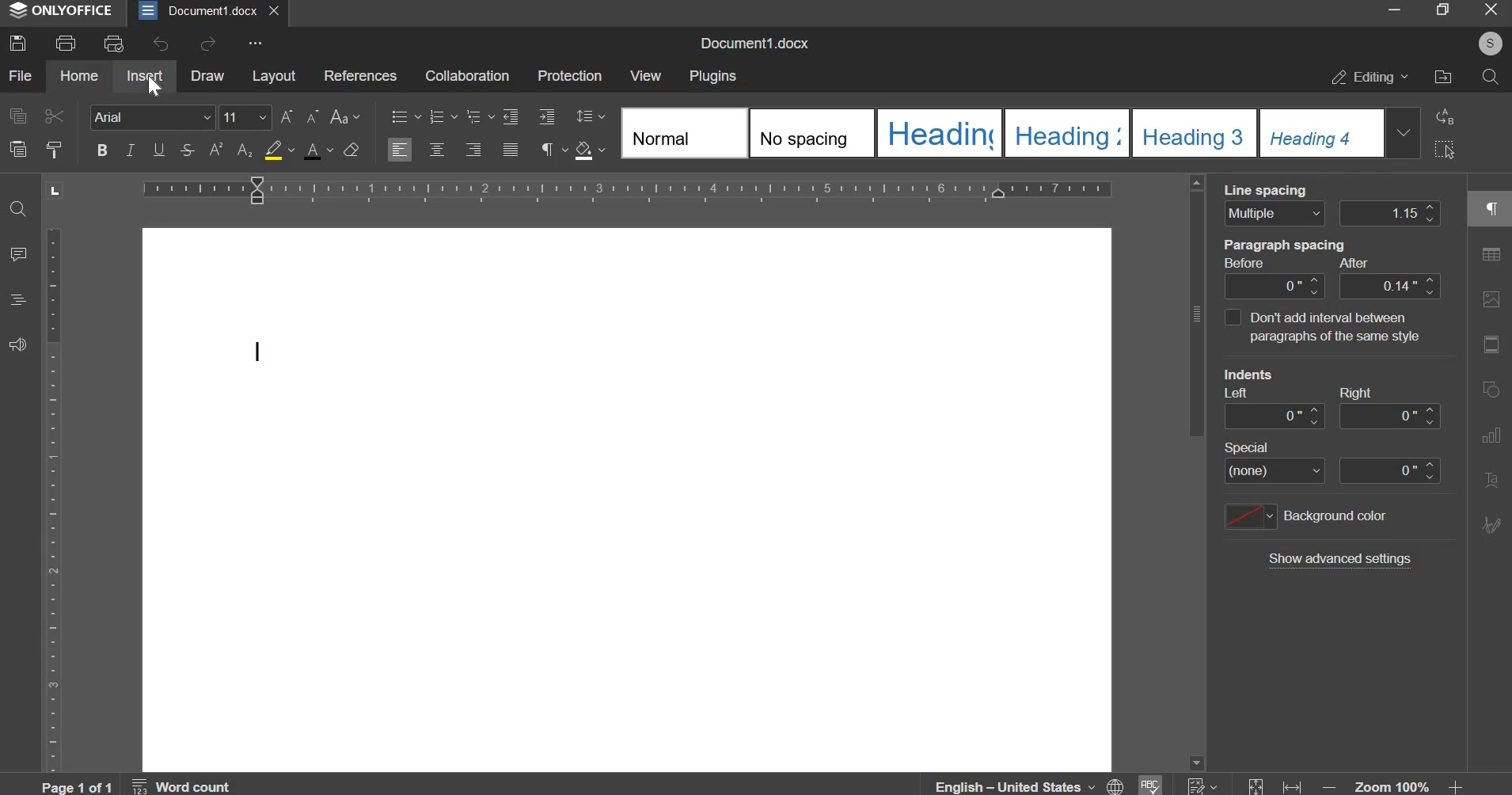 This screenshot has width=1512, height=795. What do you see at coordinates (345, 114) in the screenshot?
I see `change case` at bounding box center [345, 114].